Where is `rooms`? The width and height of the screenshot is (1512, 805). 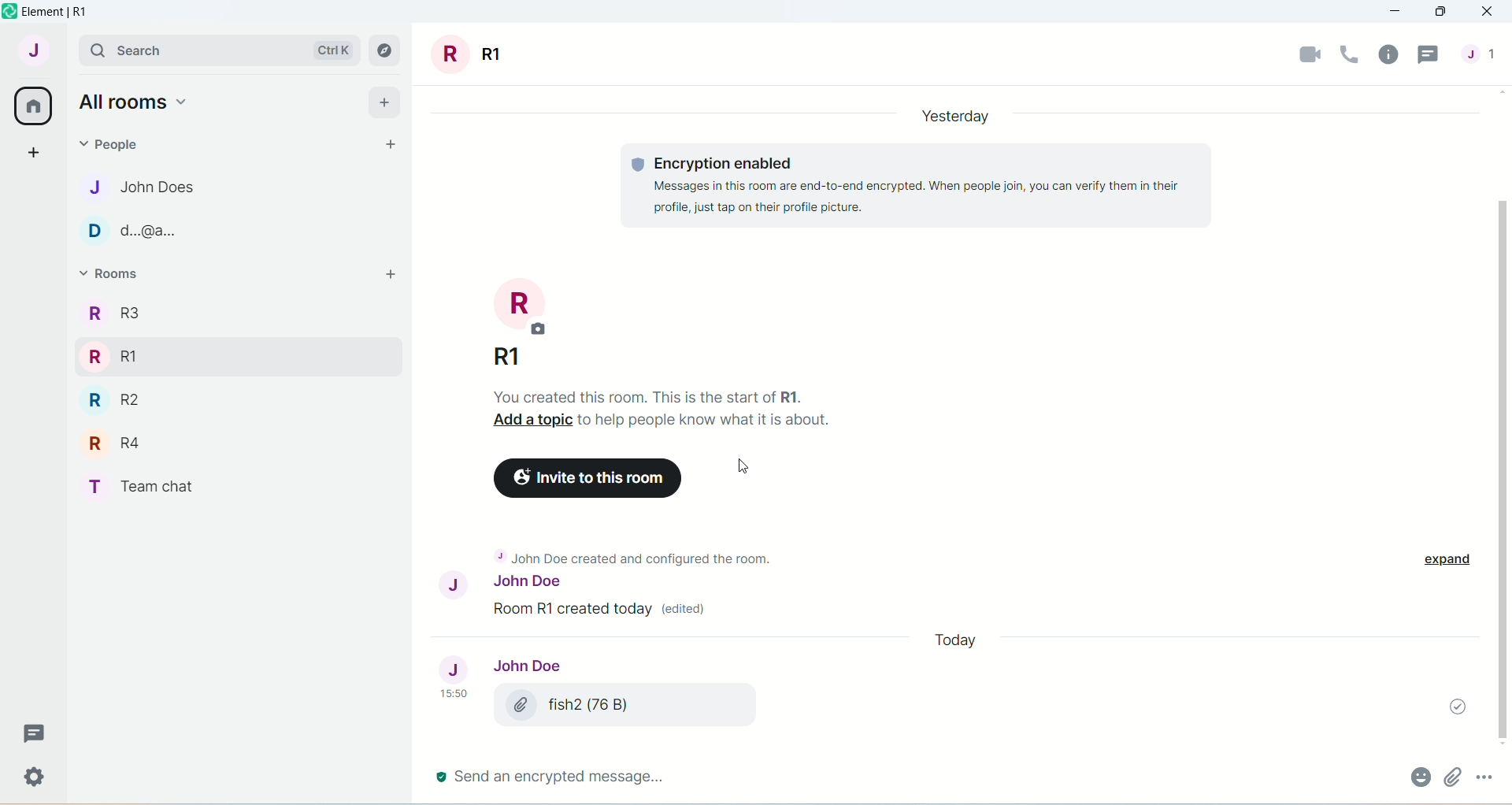
rooms is located at coordinates (115, 270).